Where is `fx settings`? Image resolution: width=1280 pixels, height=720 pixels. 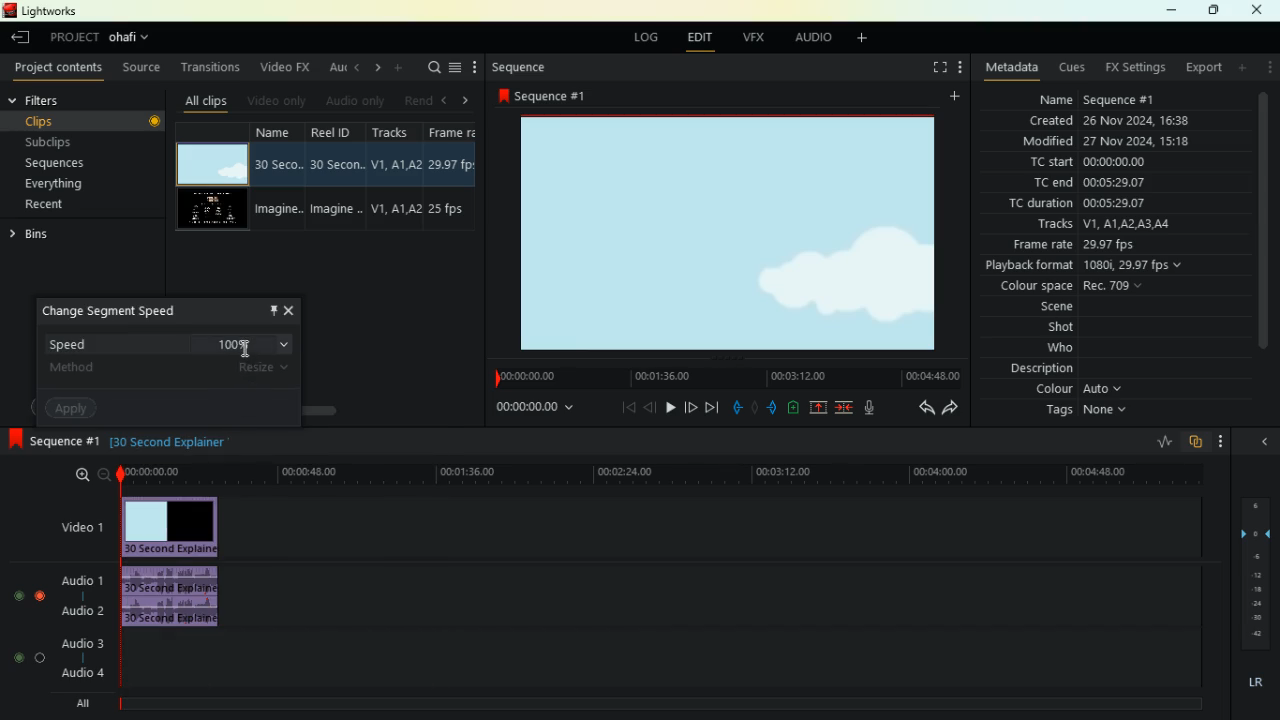
fx settings is located at coordinates (1134, 68).